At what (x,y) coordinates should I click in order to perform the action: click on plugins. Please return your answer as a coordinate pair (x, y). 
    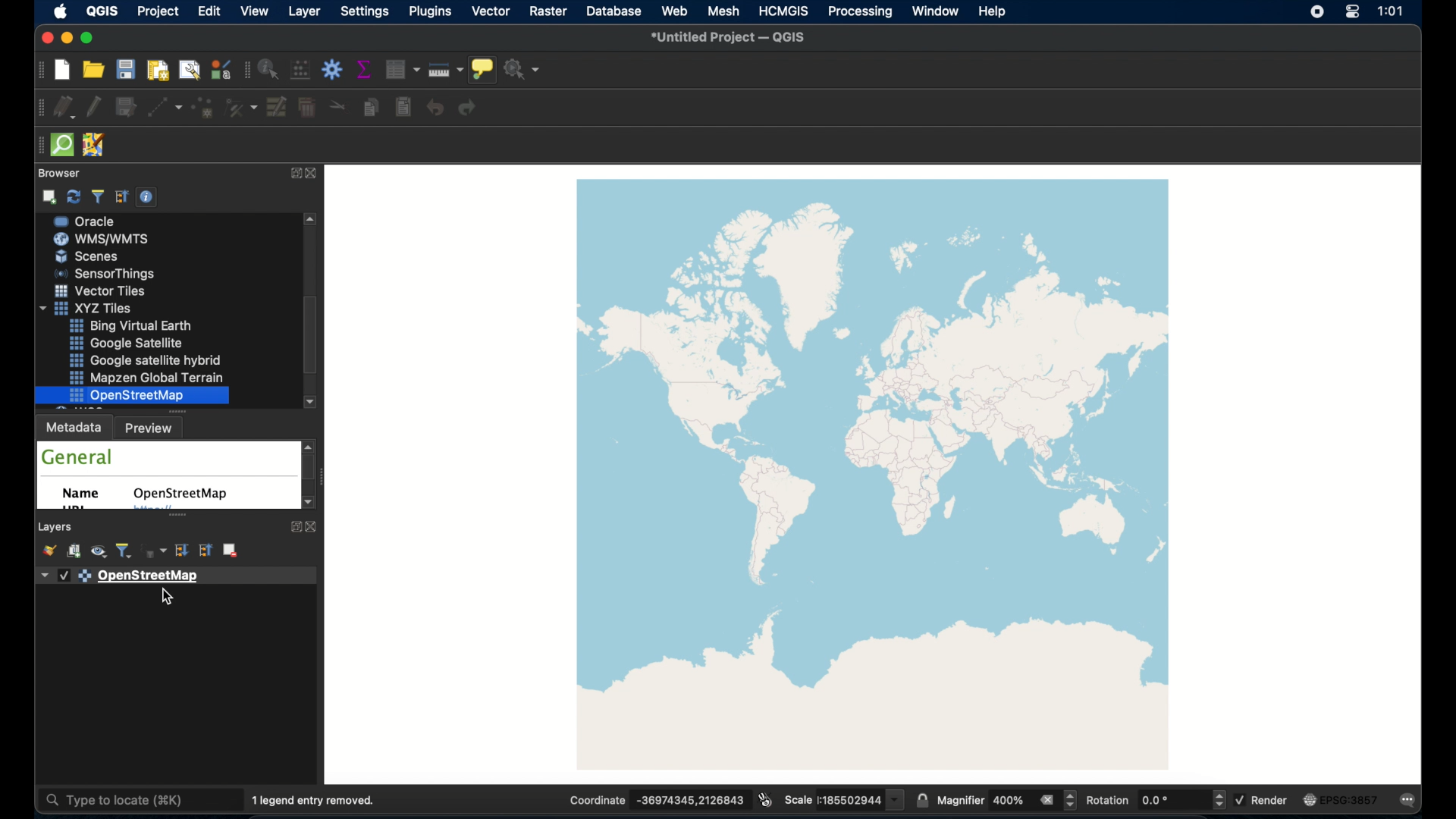
    Looking at the image, I should click on (429, 12).